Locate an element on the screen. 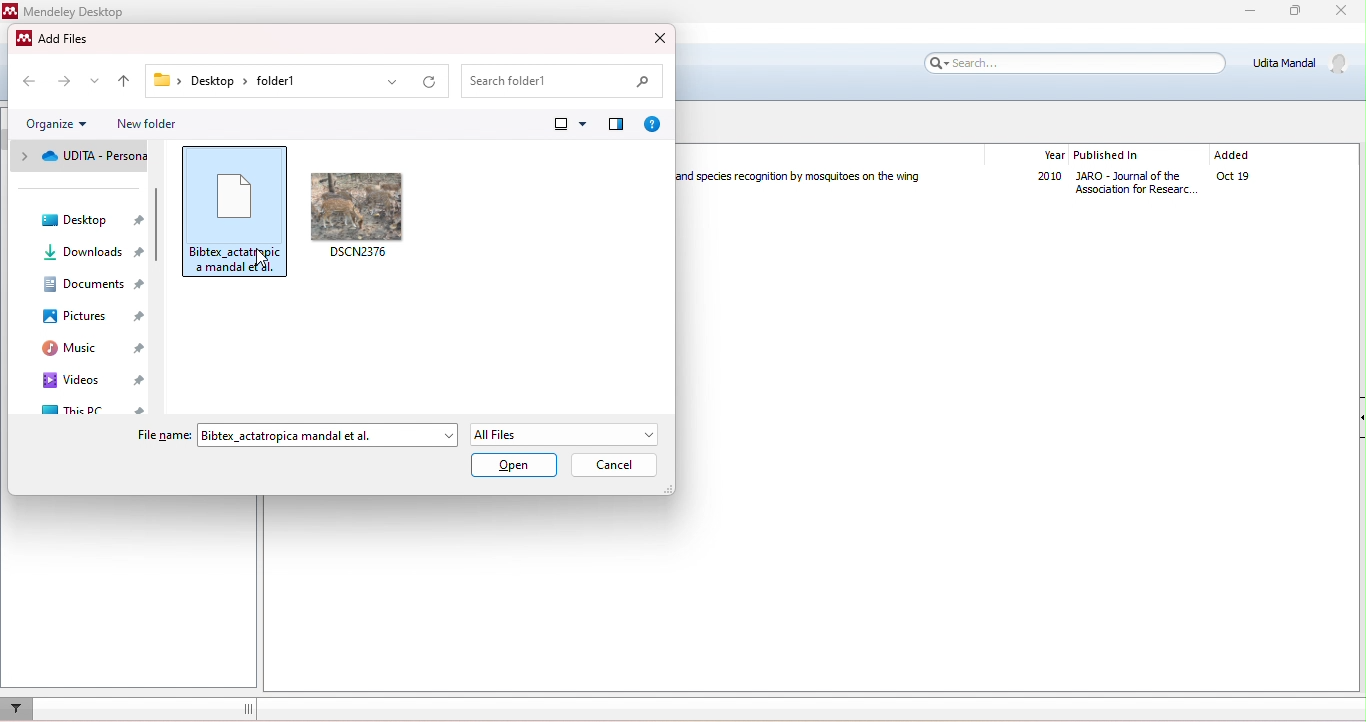 The image size is (1366, 722). Add Files is located at coordinates (63, 38).